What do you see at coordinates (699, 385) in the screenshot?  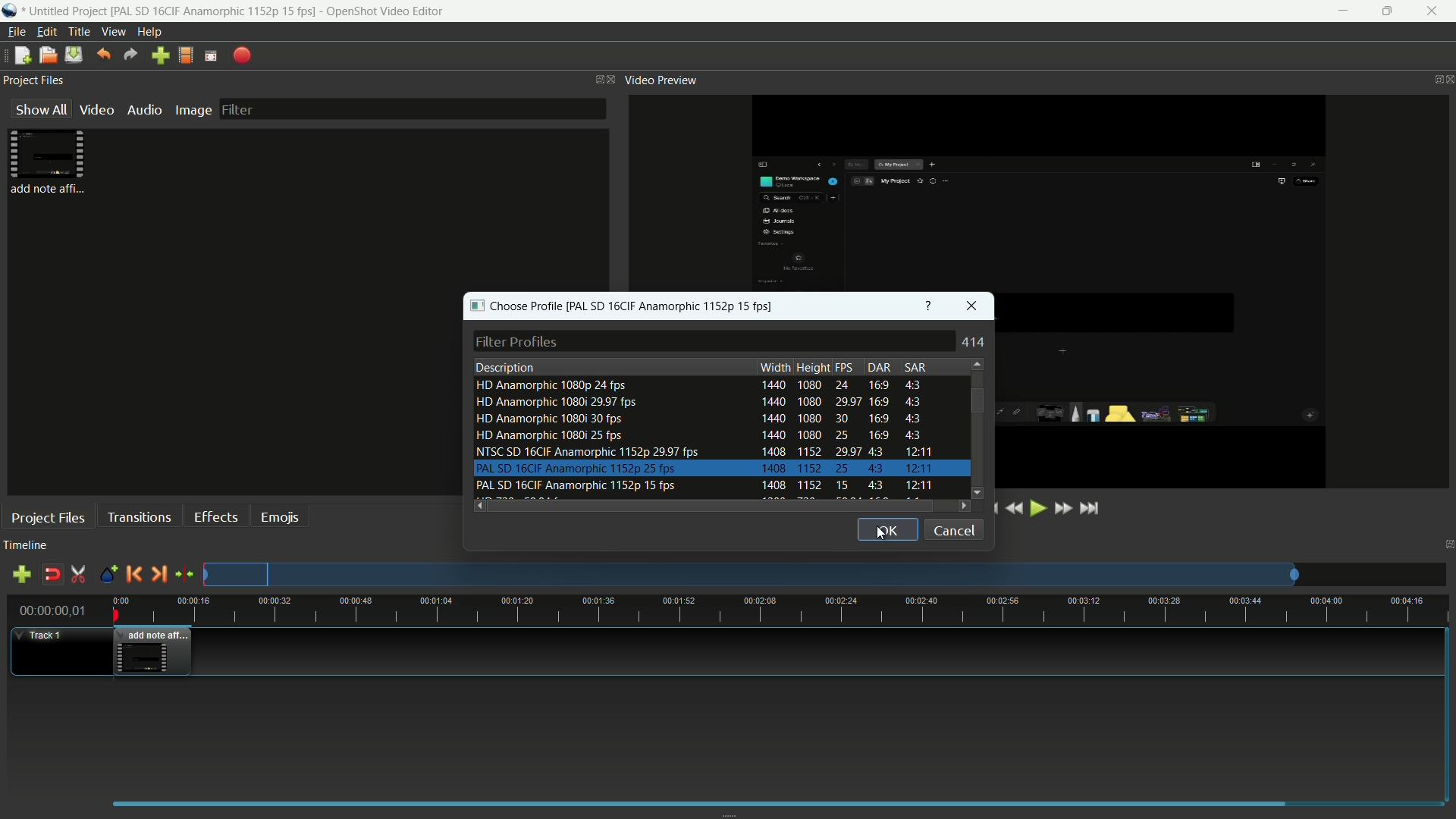 I see `profile-1` at bounding box center [699, 385].